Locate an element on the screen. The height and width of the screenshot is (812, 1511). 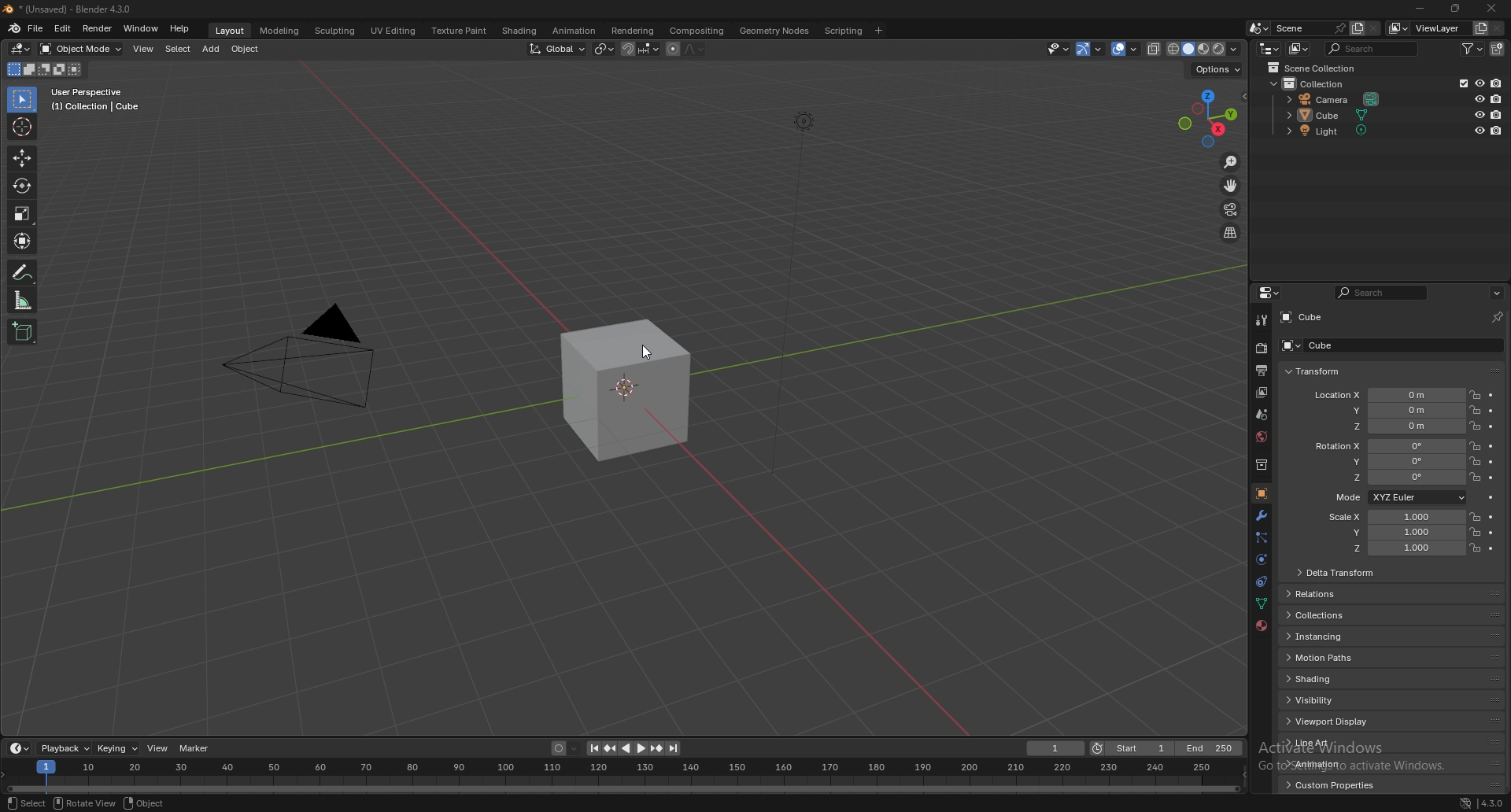
add is located at coordinates (211, 50).